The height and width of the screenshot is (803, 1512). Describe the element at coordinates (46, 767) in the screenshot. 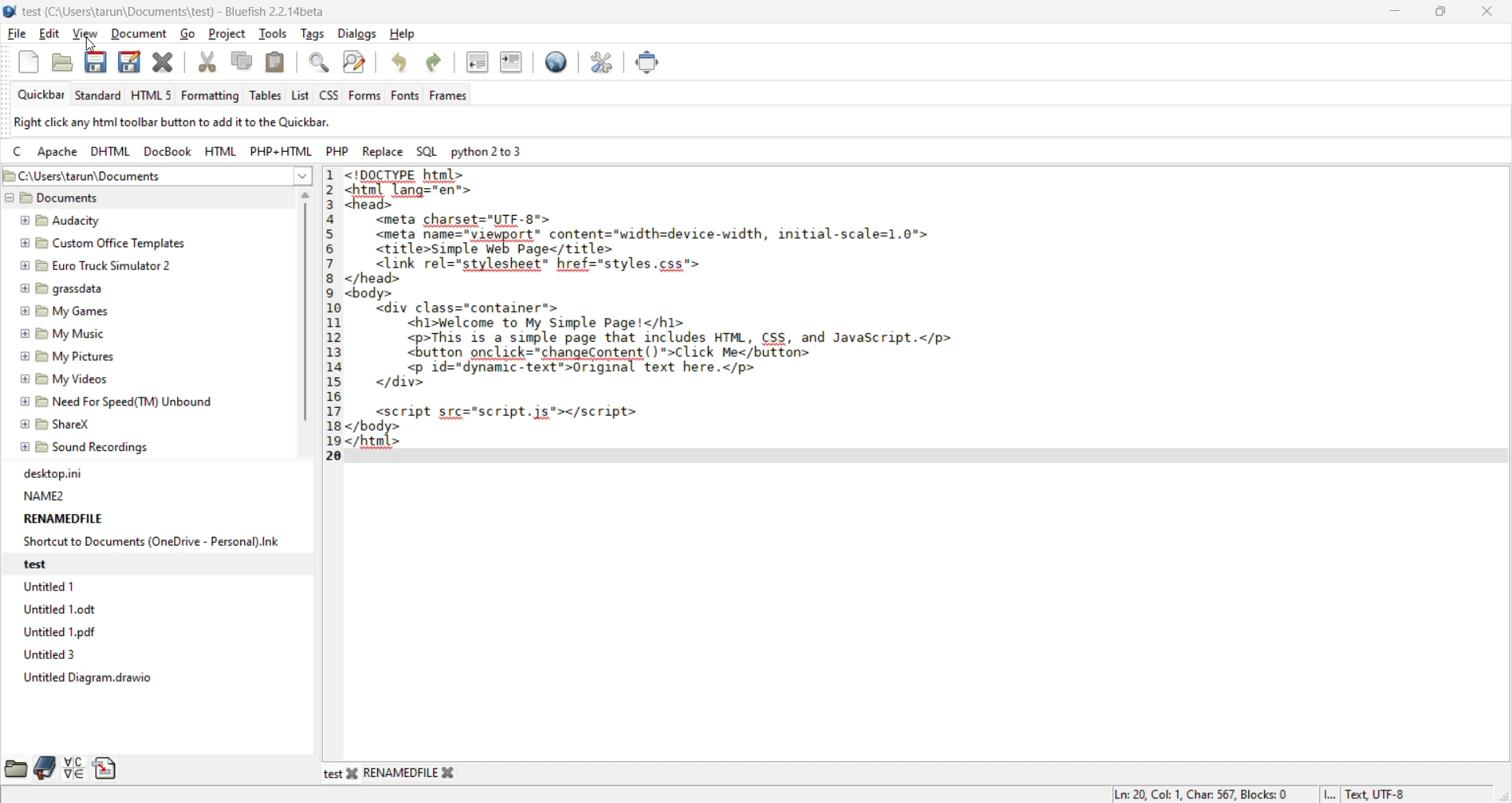

I see `bookmarks` at that location.